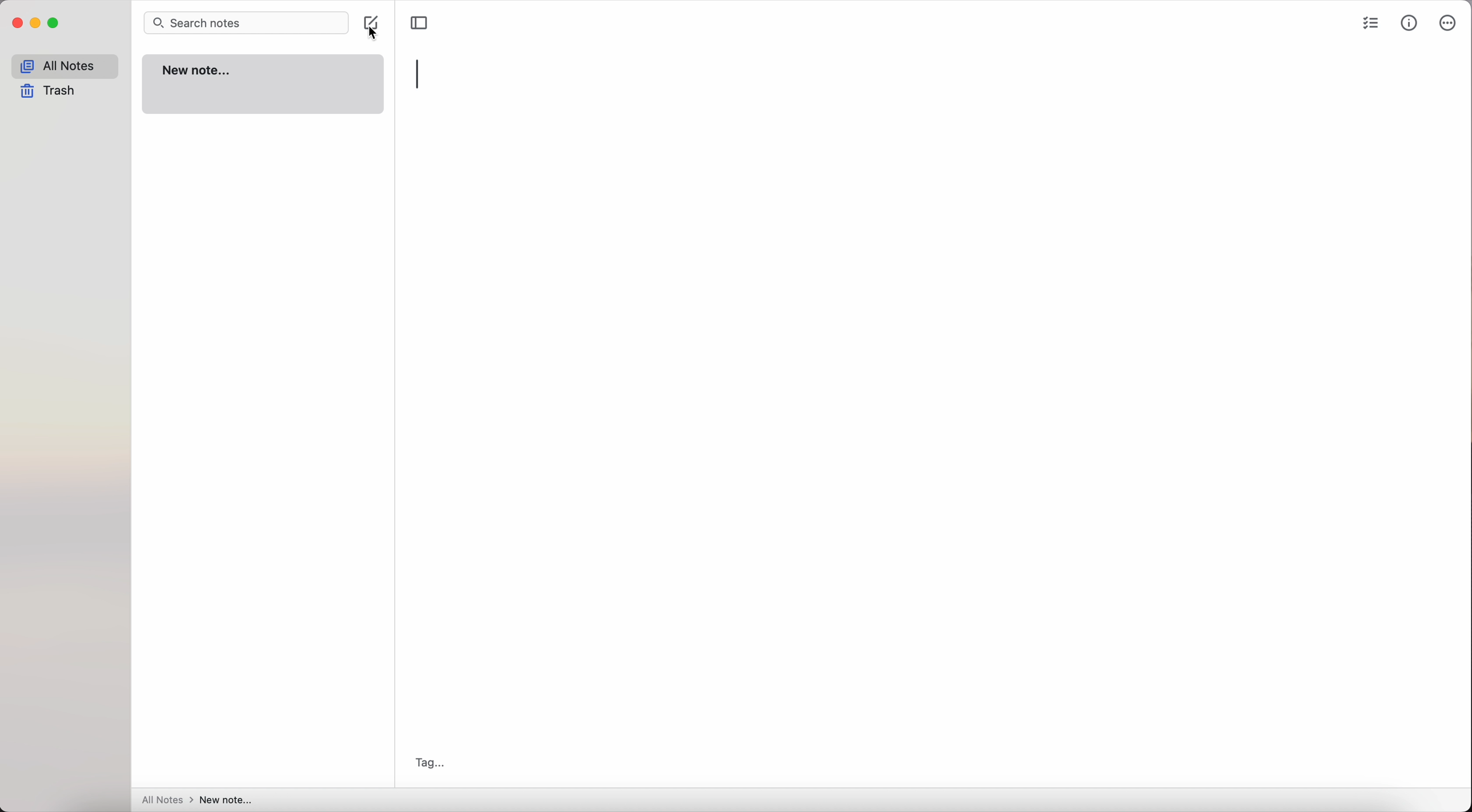 The width and height of the screenshot is (1472, 812). What do you see at coordinates (429, 762) in the screenshot?
I see `tag` at bounding box center [429, 762].